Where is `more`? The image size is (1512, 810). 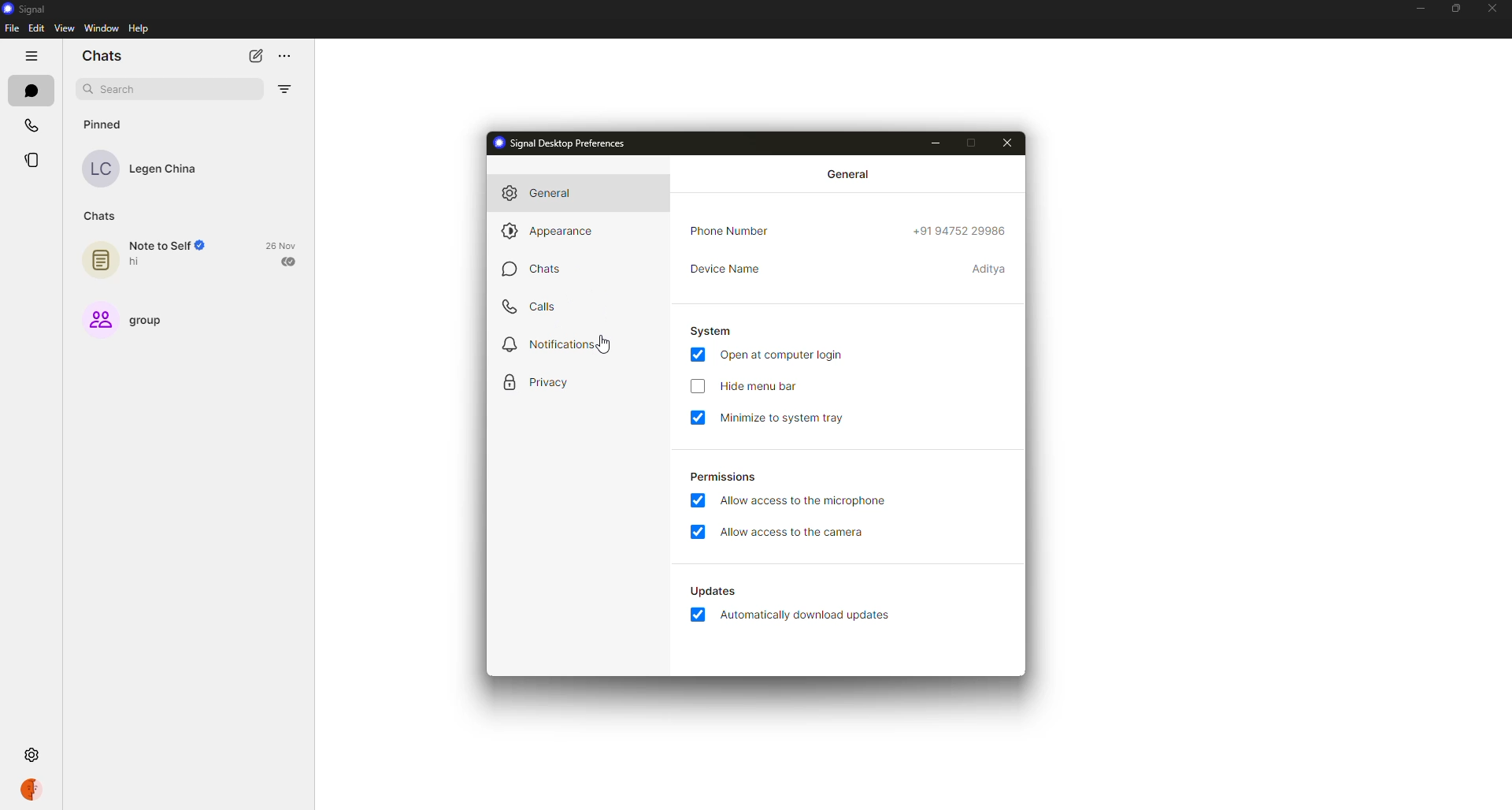 more is located at coordinates (283, 54).